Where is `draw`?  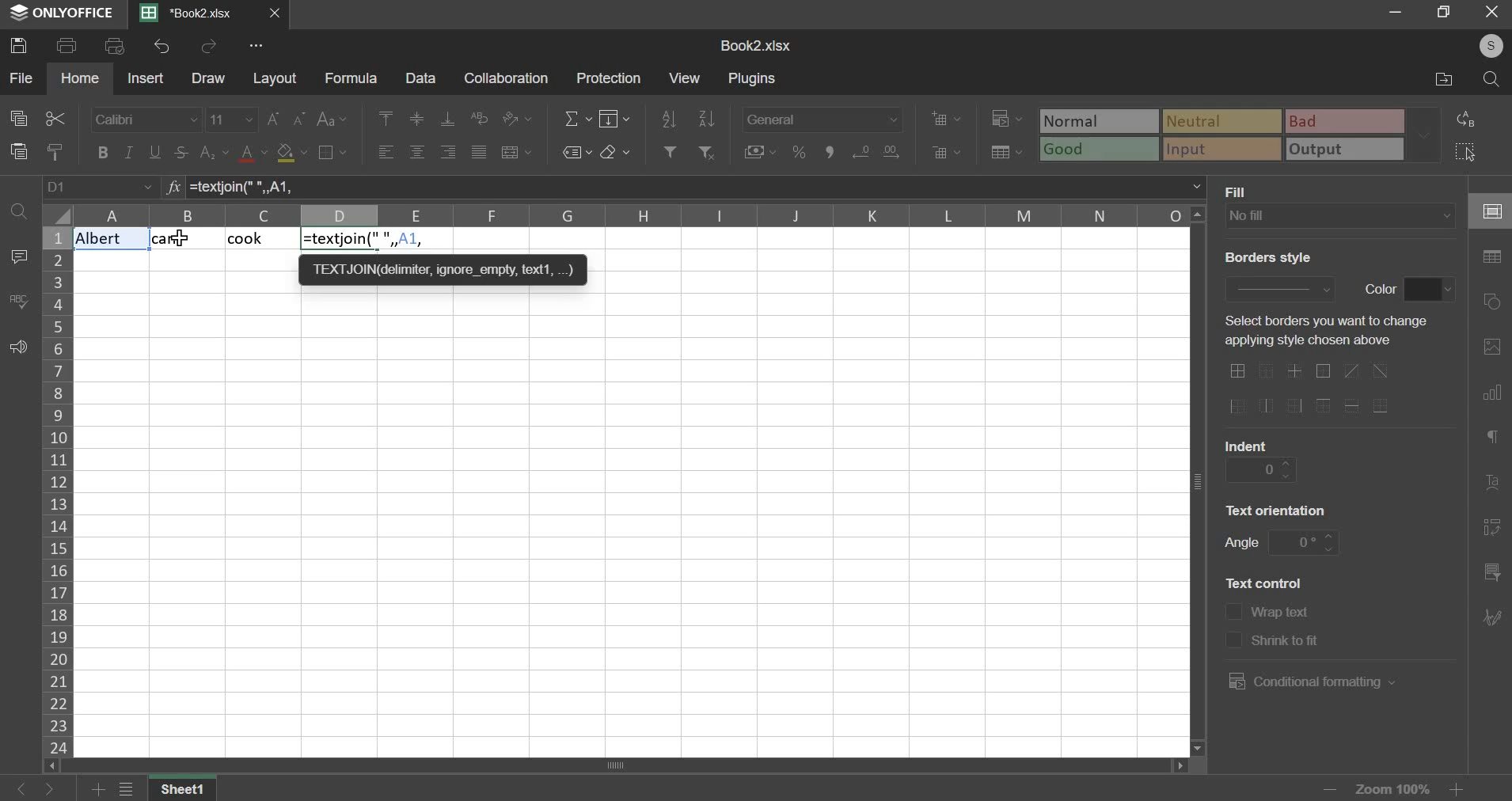
draw is located at coordinates (209, 79).